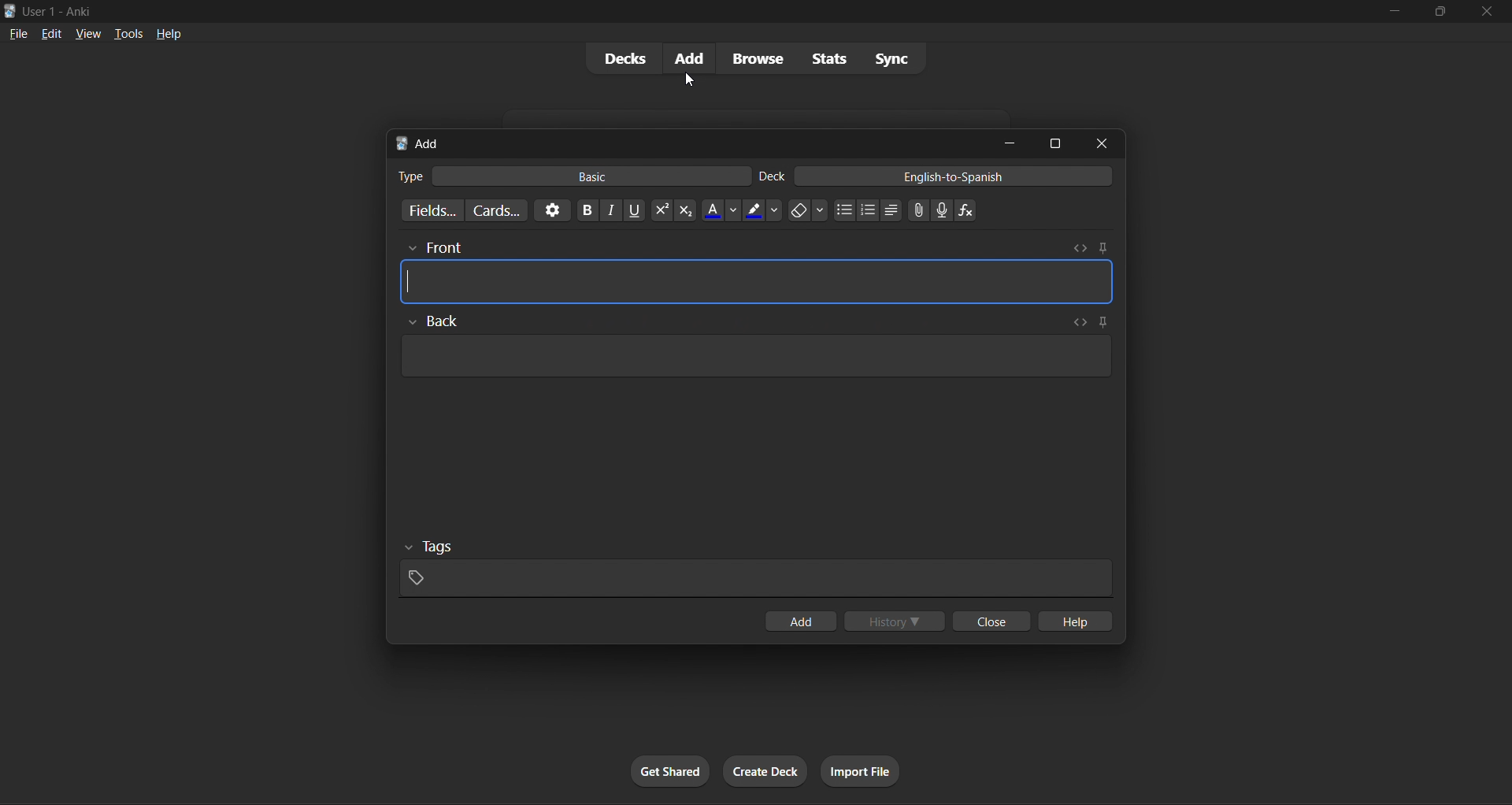 This screenshot has height=805, width=1512. What do you see at coordinates (498, 208) in the screenshot?
I see `customize card templates` at bounding box center [498, 208].